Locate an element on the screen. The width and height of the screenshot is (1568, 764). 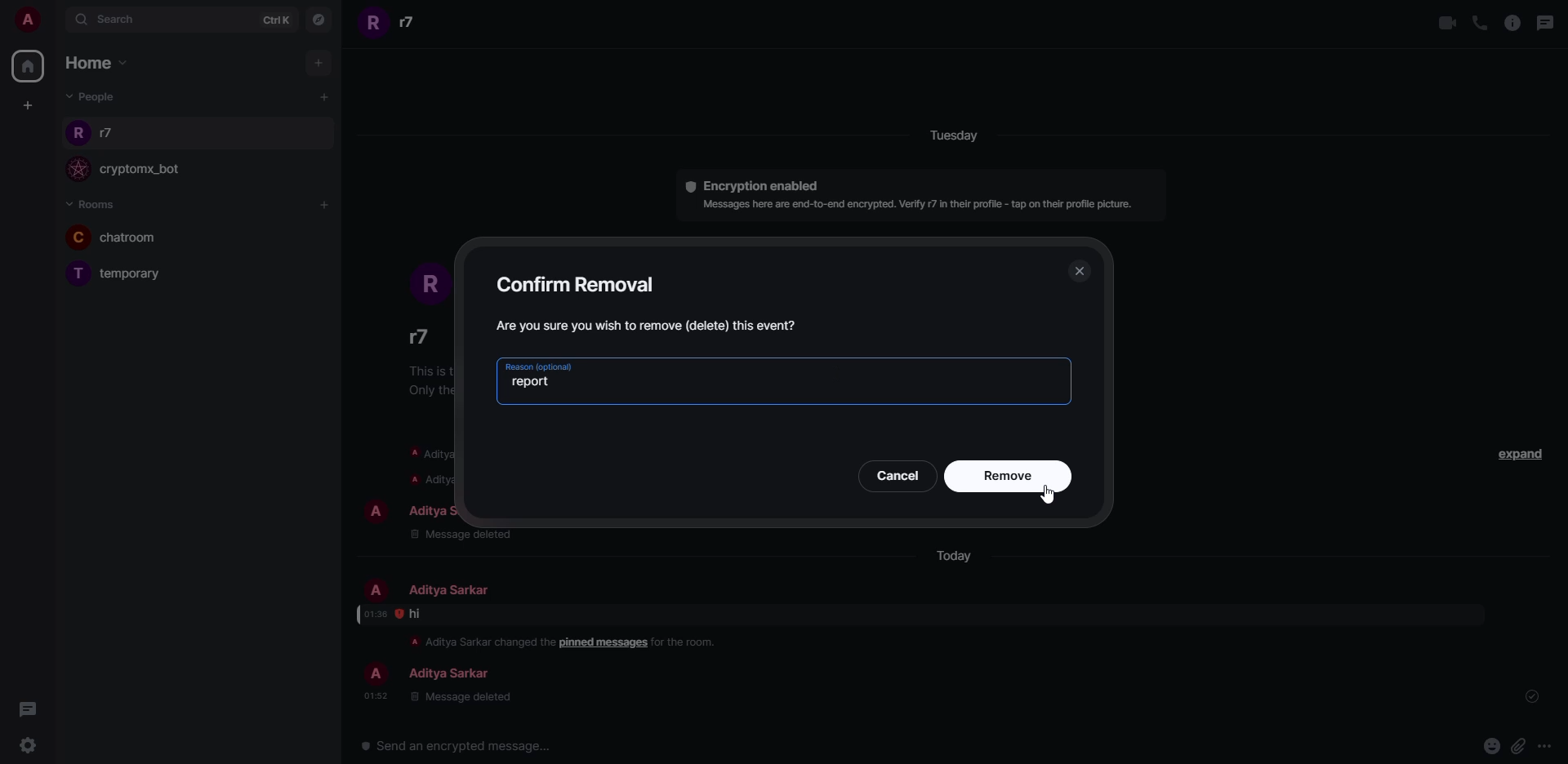
people is located at coordinates (446, 590).